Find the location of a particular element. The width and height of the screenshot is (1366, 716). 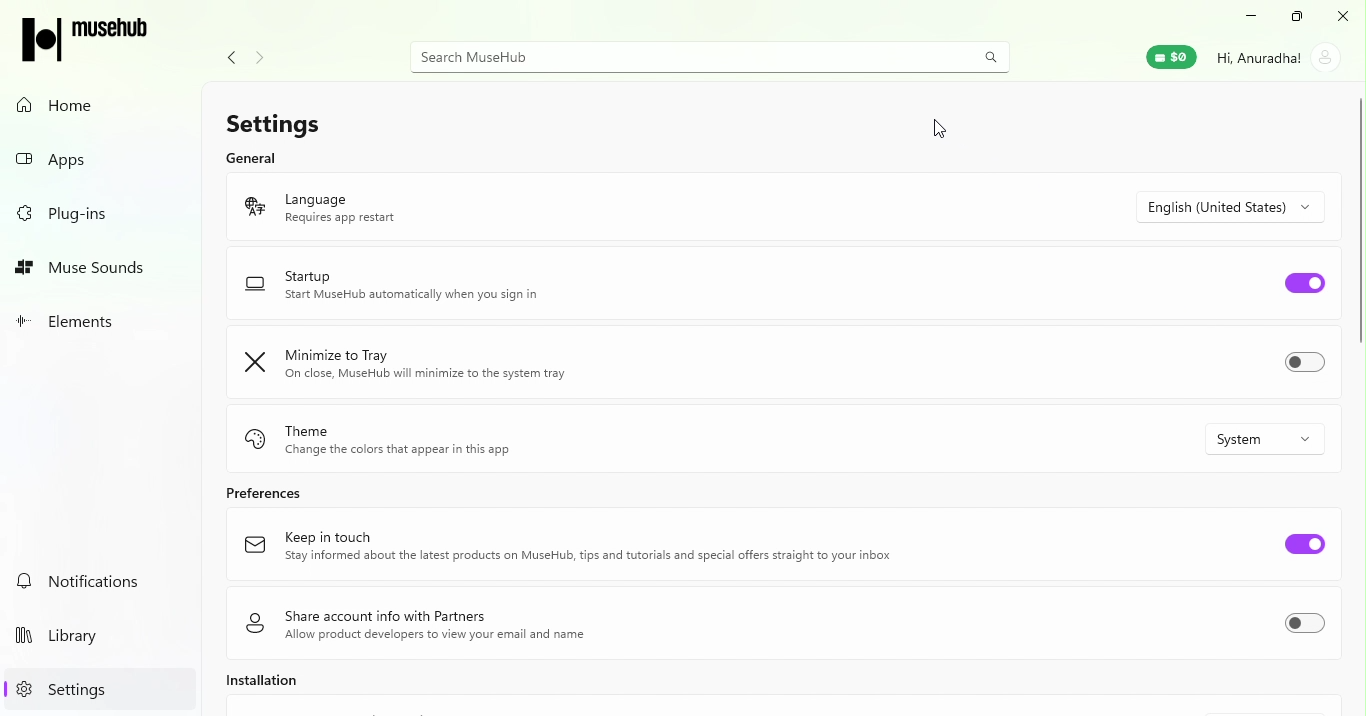

Minimize is located at coordinates (1245, 18).